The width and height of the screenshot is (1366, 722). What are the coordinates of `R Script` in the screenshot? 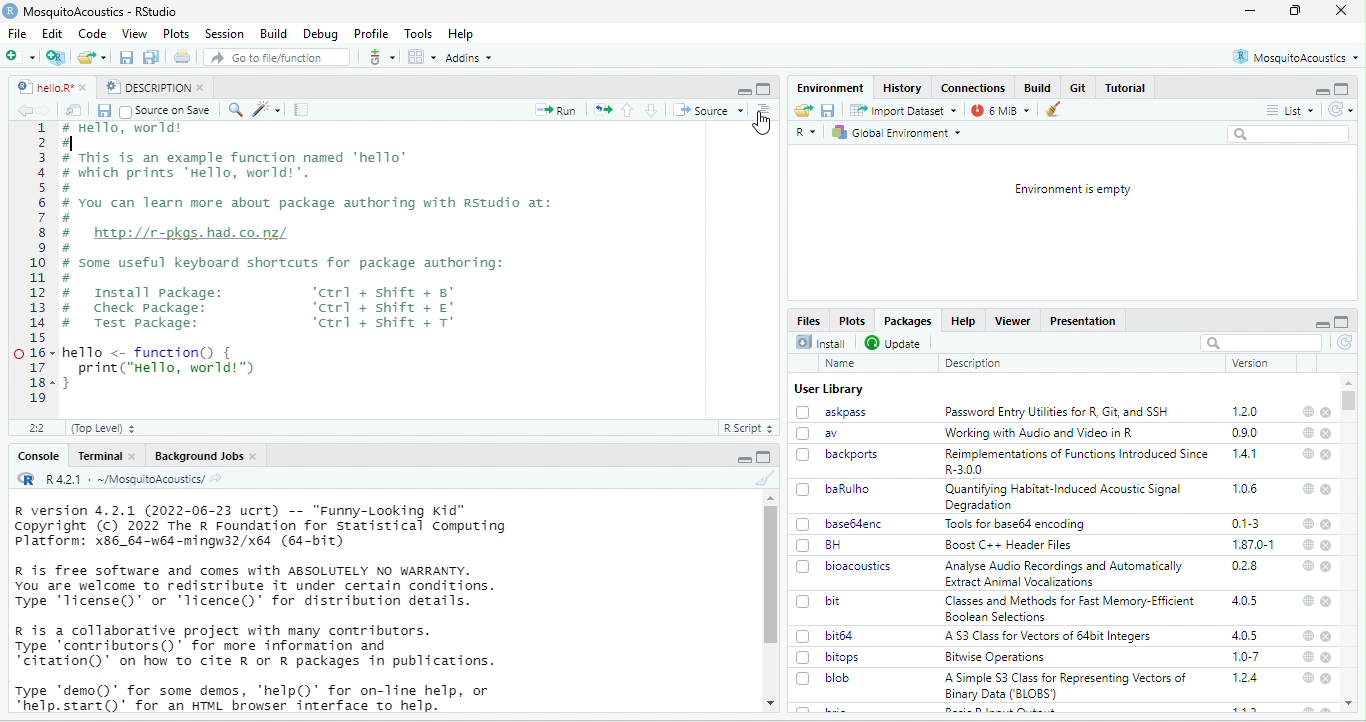 It's located at (746, 426).